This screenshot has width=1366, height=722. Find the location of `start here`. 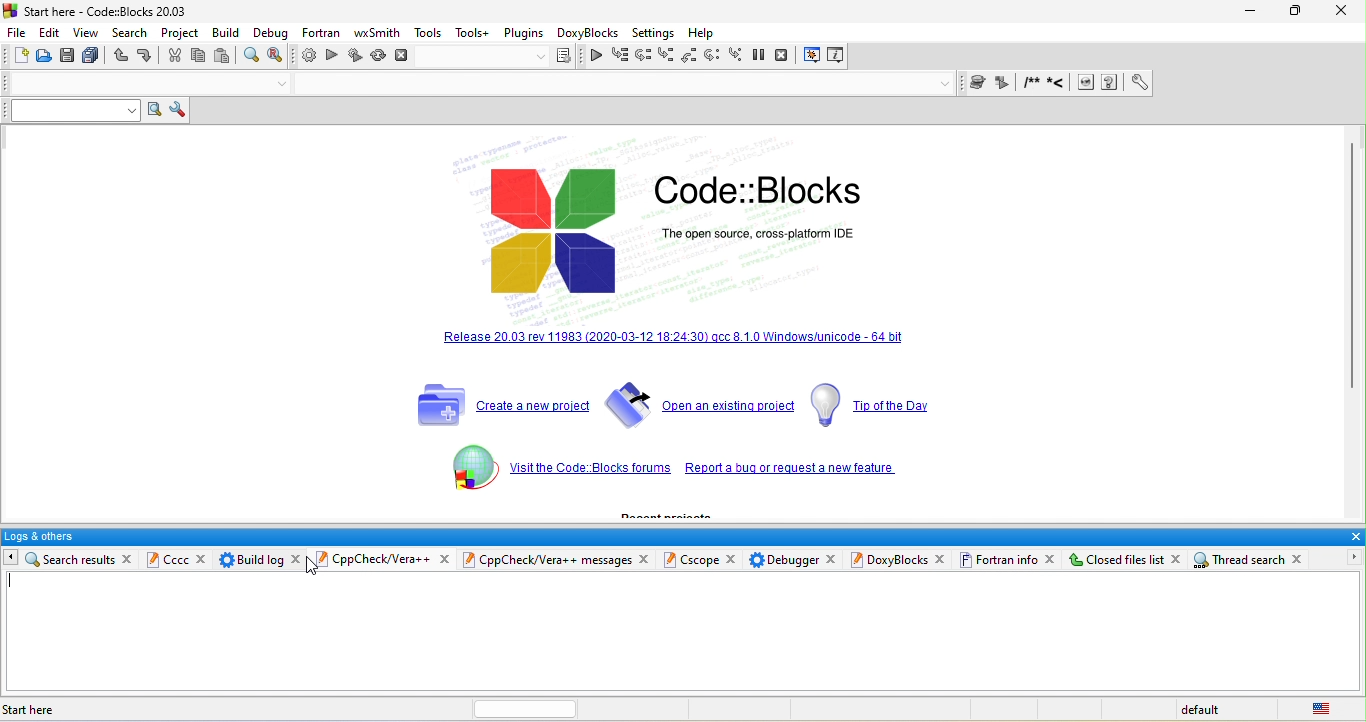

start here is located at coordinates (37, 709).